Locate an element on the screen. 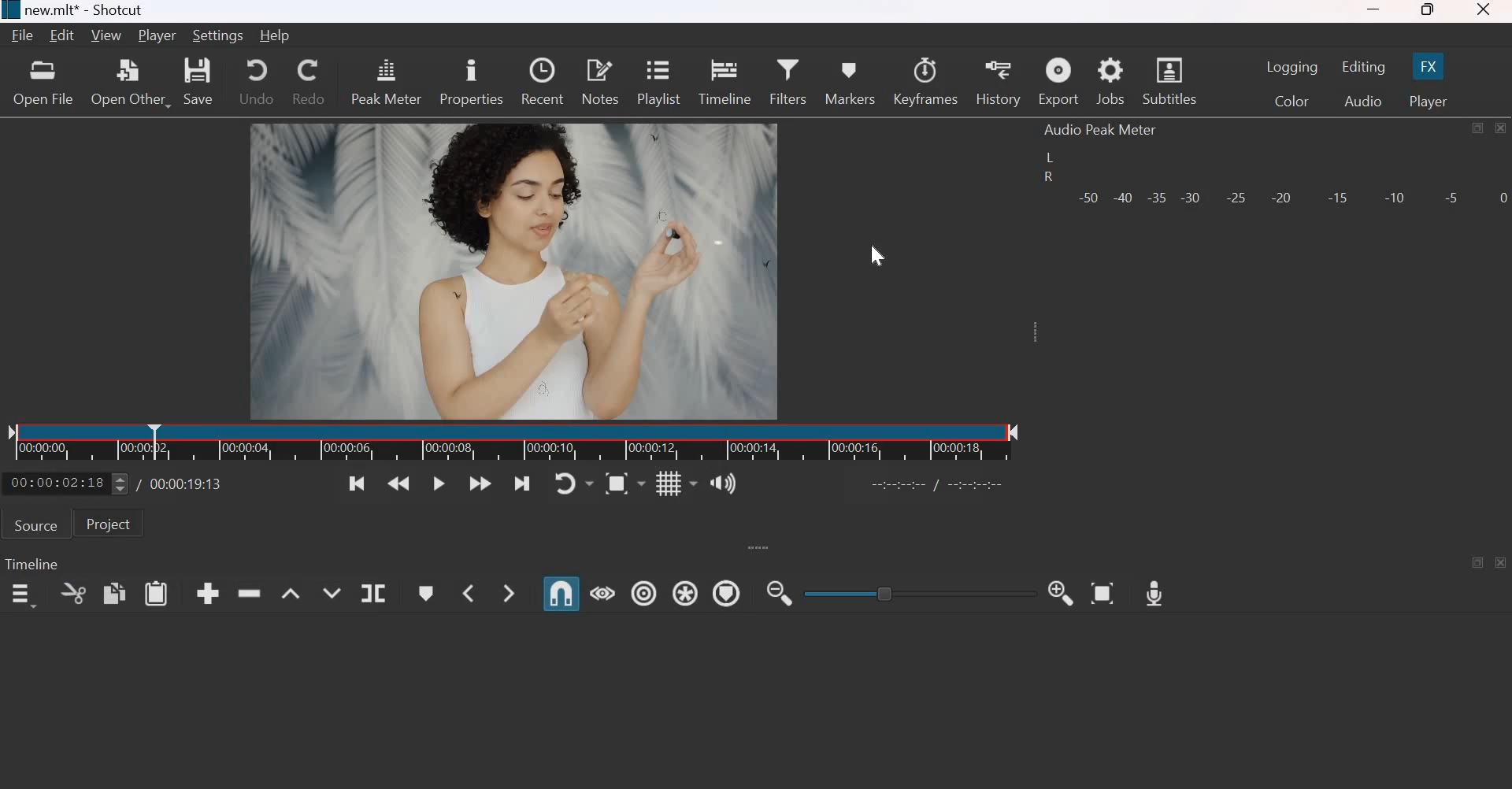 The width and height of the screenshot is (1512, 789). lift is located at coordinates (291, 592).